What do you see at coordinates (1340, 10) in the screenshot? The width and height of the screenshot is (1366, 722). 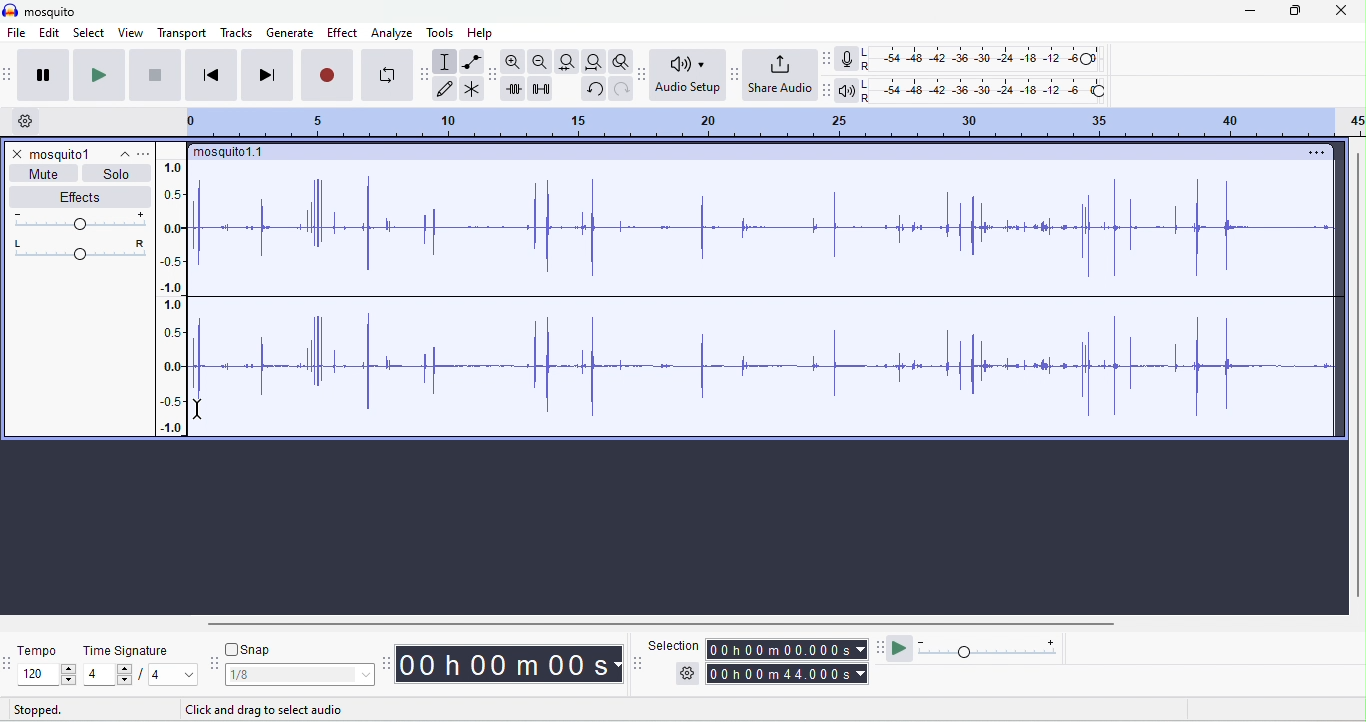 I see `close` at bounding box center [1340, 10].